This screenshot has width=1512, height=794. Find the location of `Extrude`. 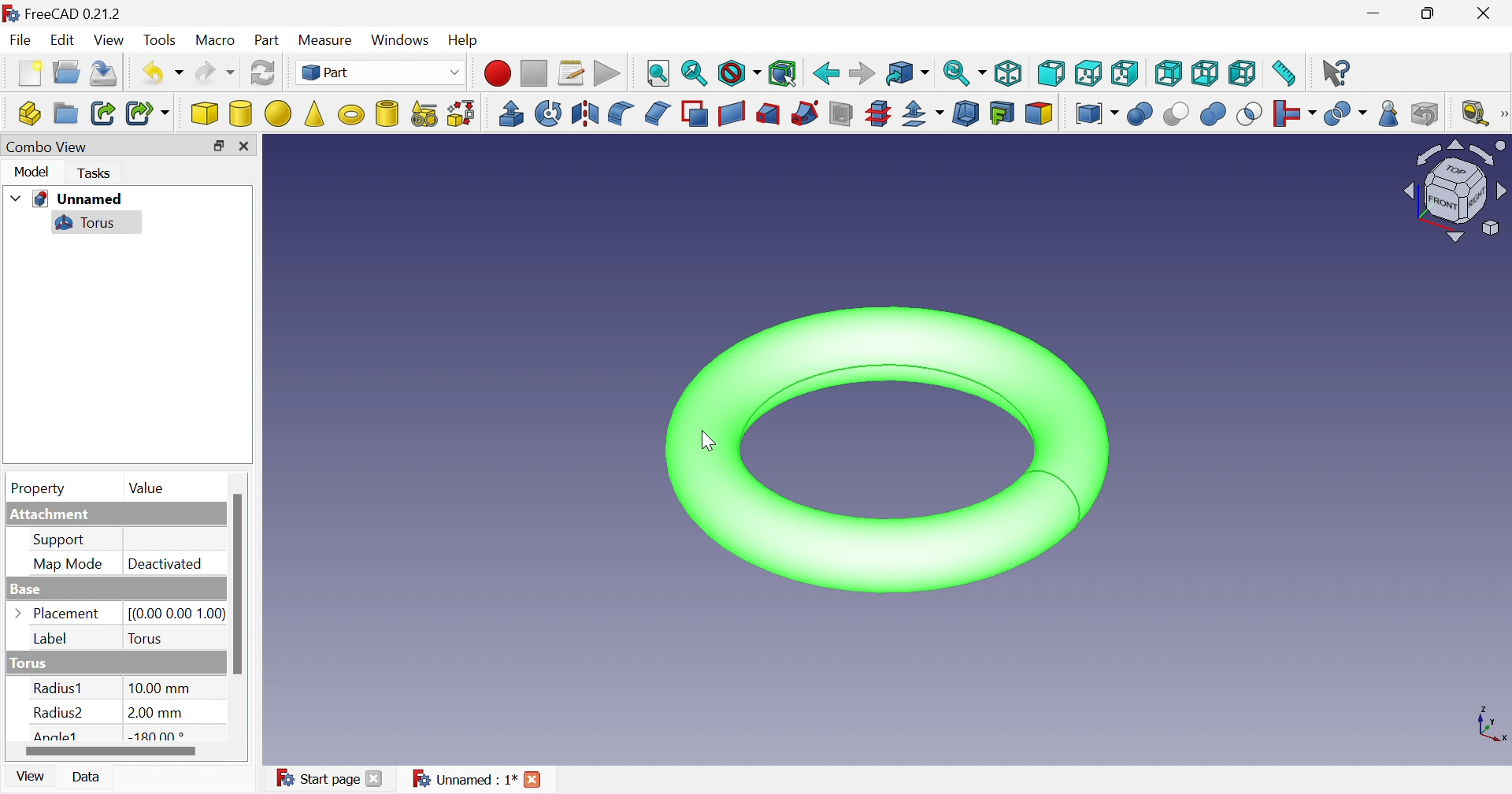

Extrude is located at coordinates (510, 113).